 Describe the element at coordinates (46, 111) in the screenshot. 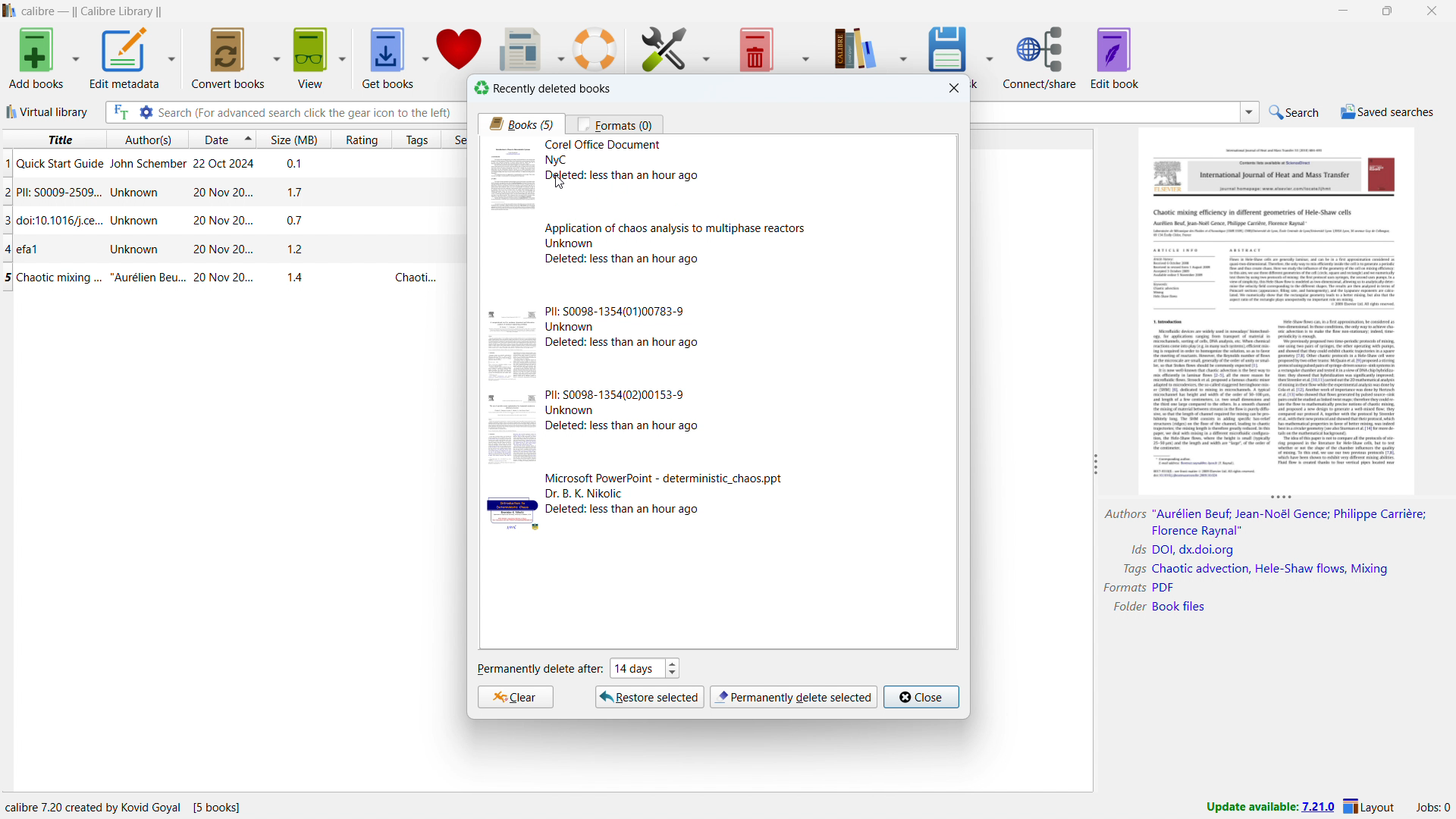

I see `virtual library` at that location.